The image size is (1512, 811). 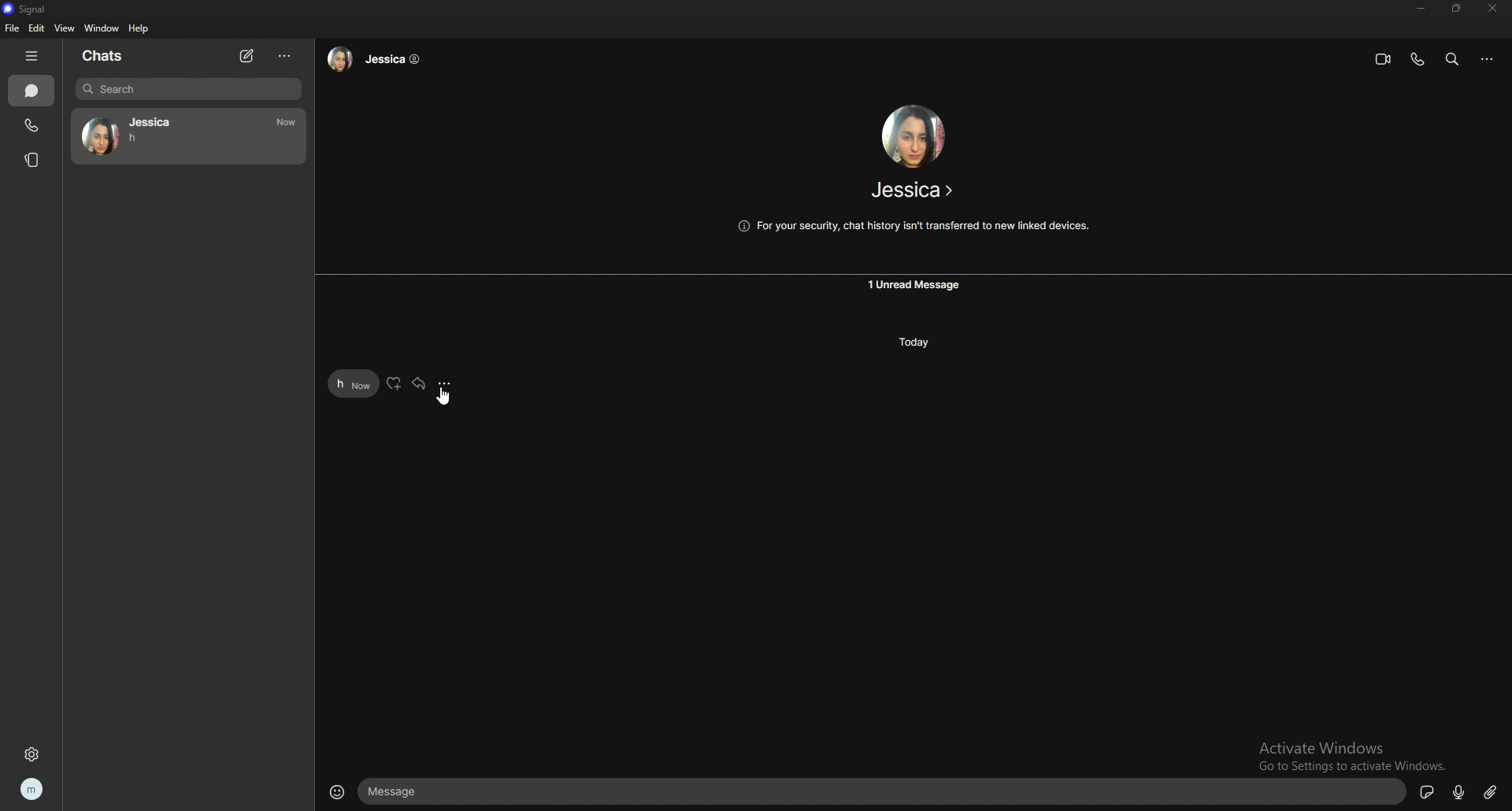 I want to click on file, so click(x=13, y=28).